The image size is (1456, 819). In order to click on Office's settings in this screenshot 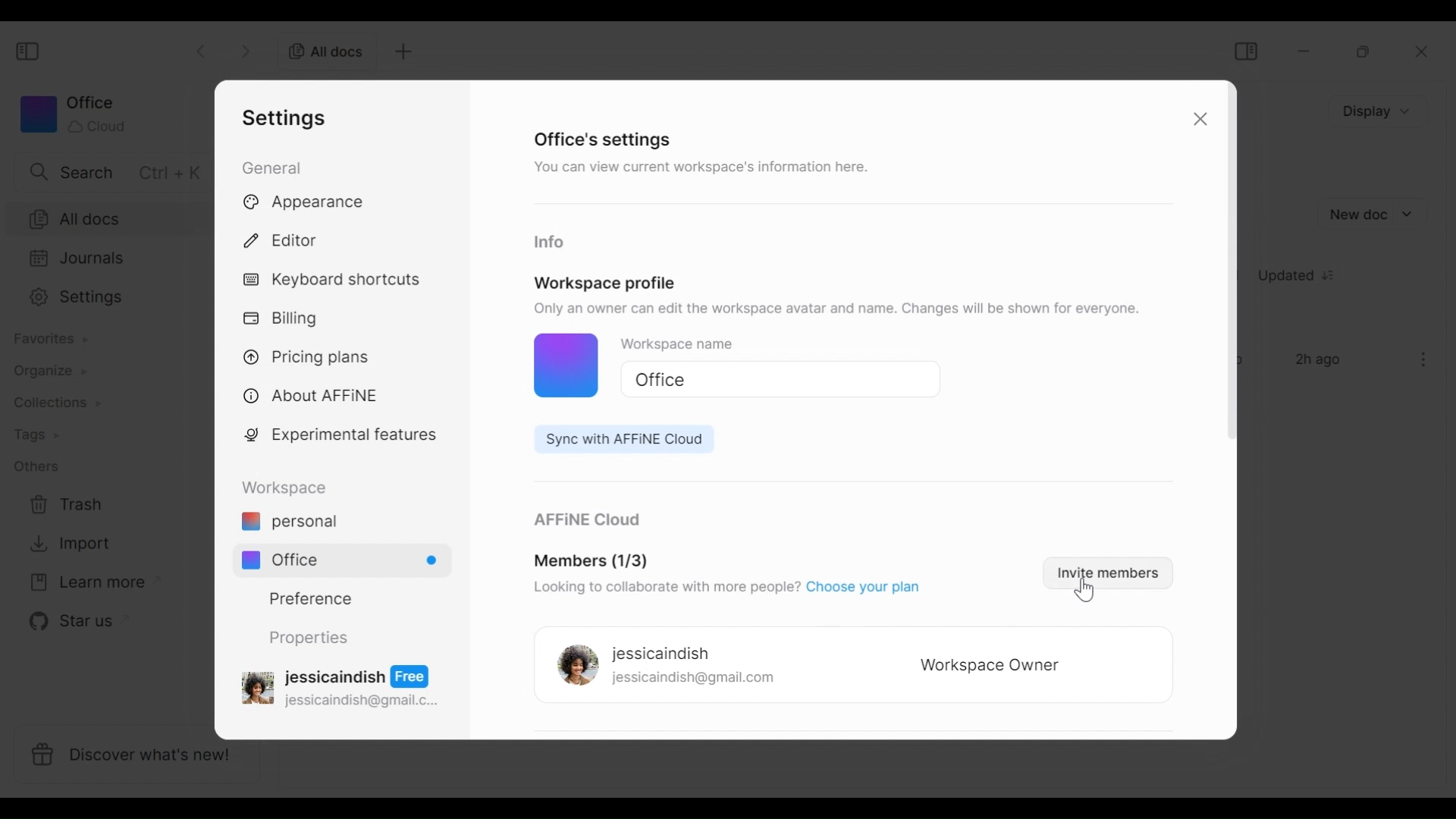, I will do `click(604, 139)`.